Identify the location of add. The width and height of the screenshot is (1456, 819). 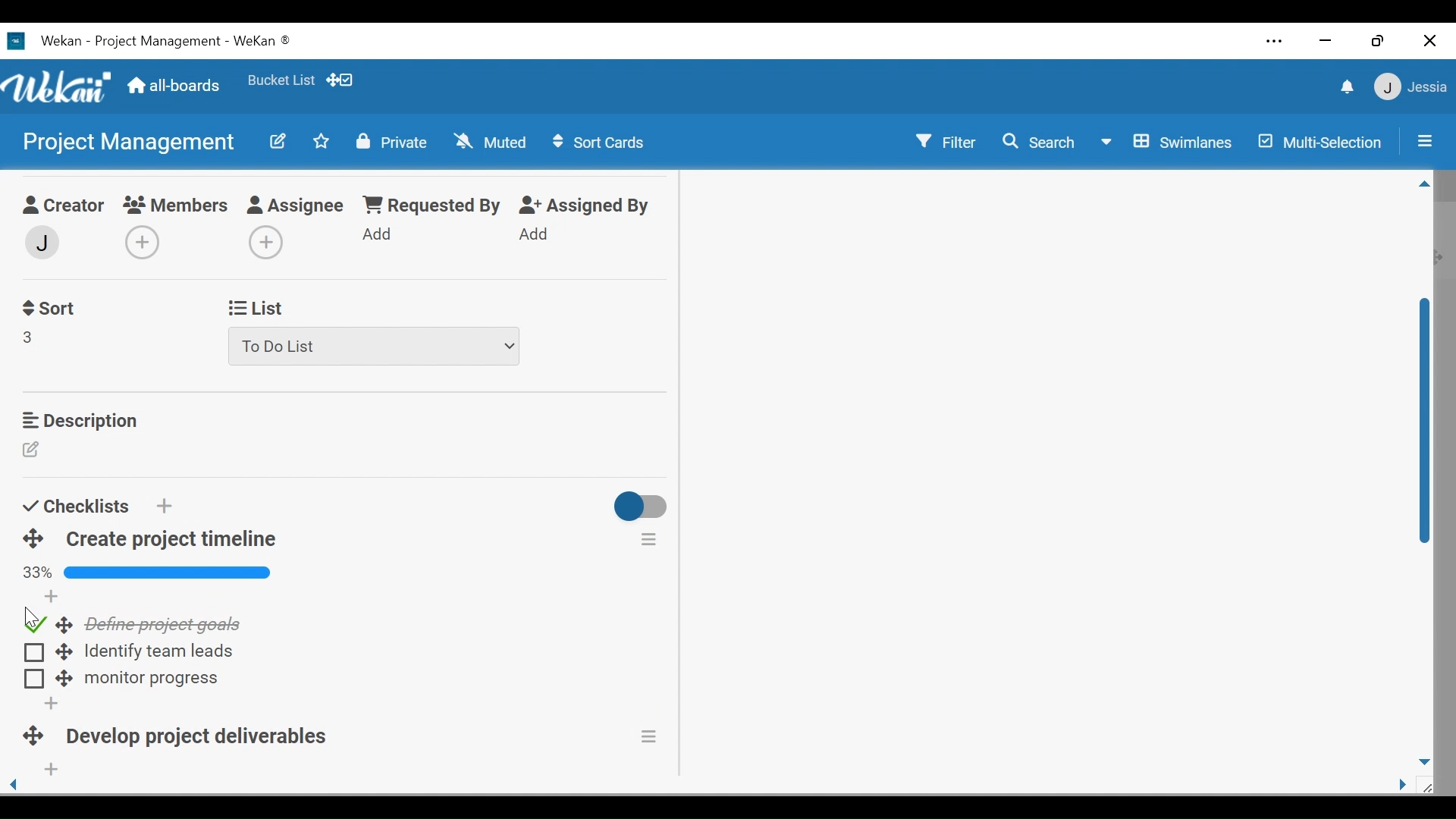
(33, 679).